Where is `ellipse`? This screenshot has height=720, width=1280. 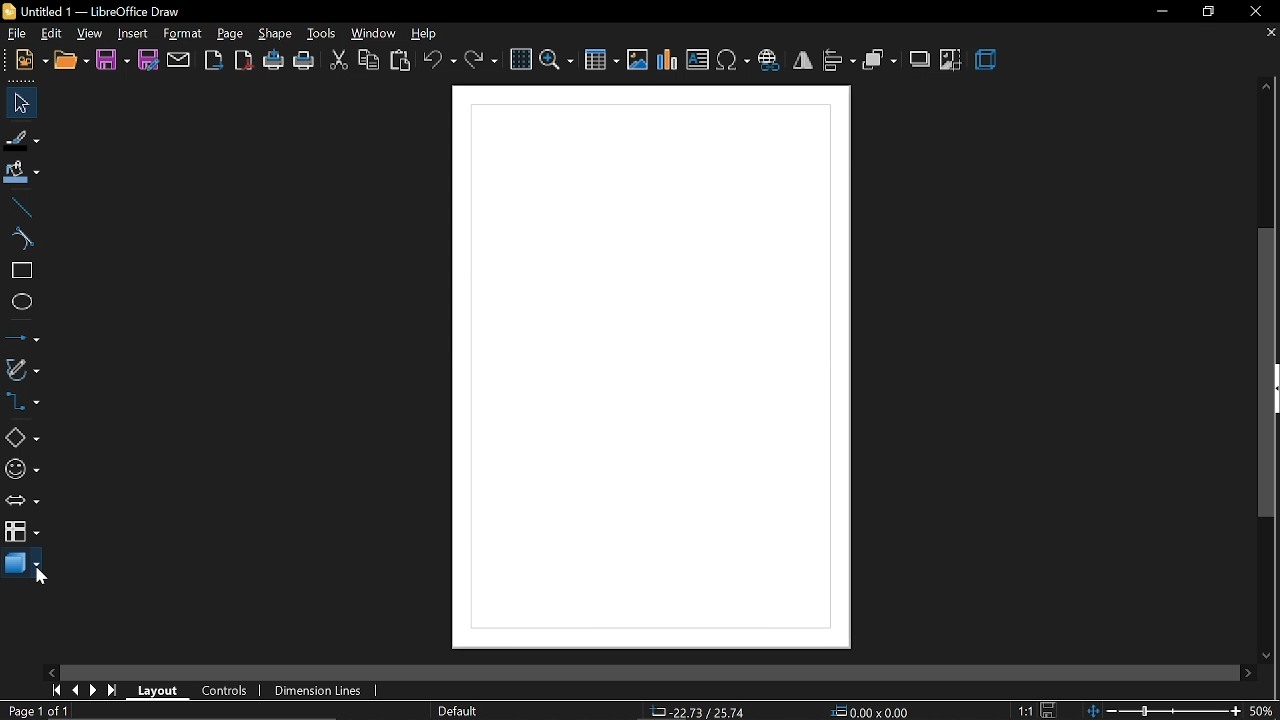 ellipse is located at coordinates (23, 304).